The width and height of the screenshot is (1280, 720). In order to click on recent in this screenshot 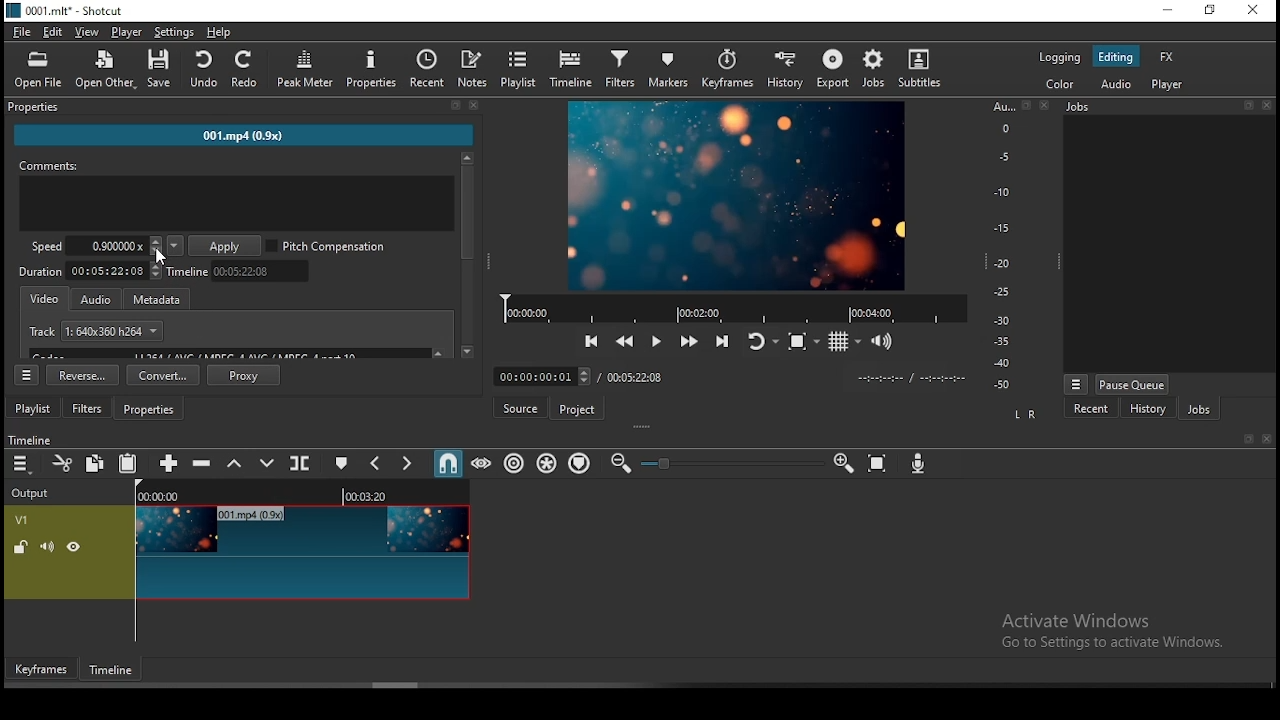, I will do `click(1094, 408)`.